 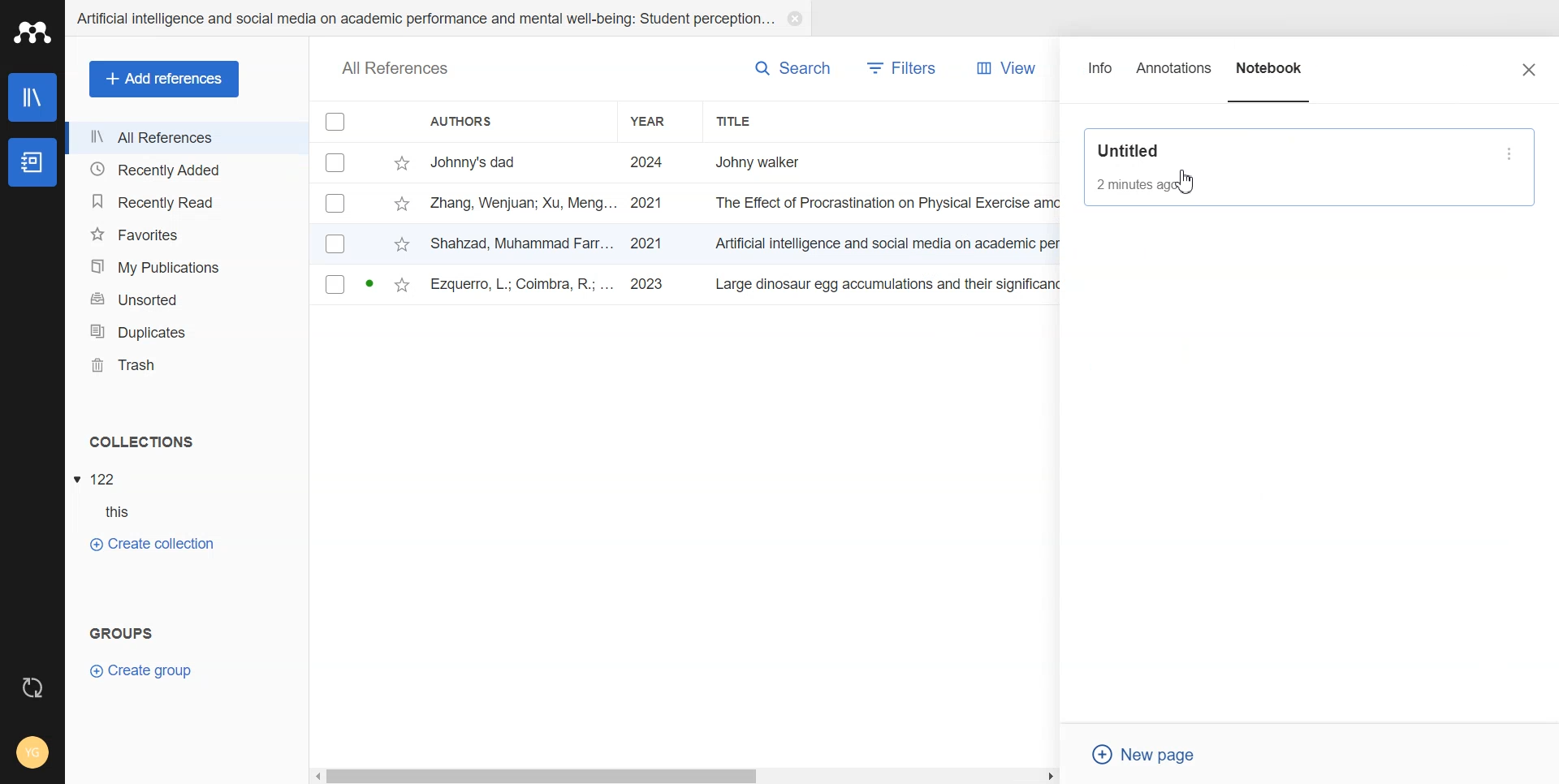 What do you see at coordinates (646, 243) in the screenshot?
I see `2021` at bounding box center [646, 243].